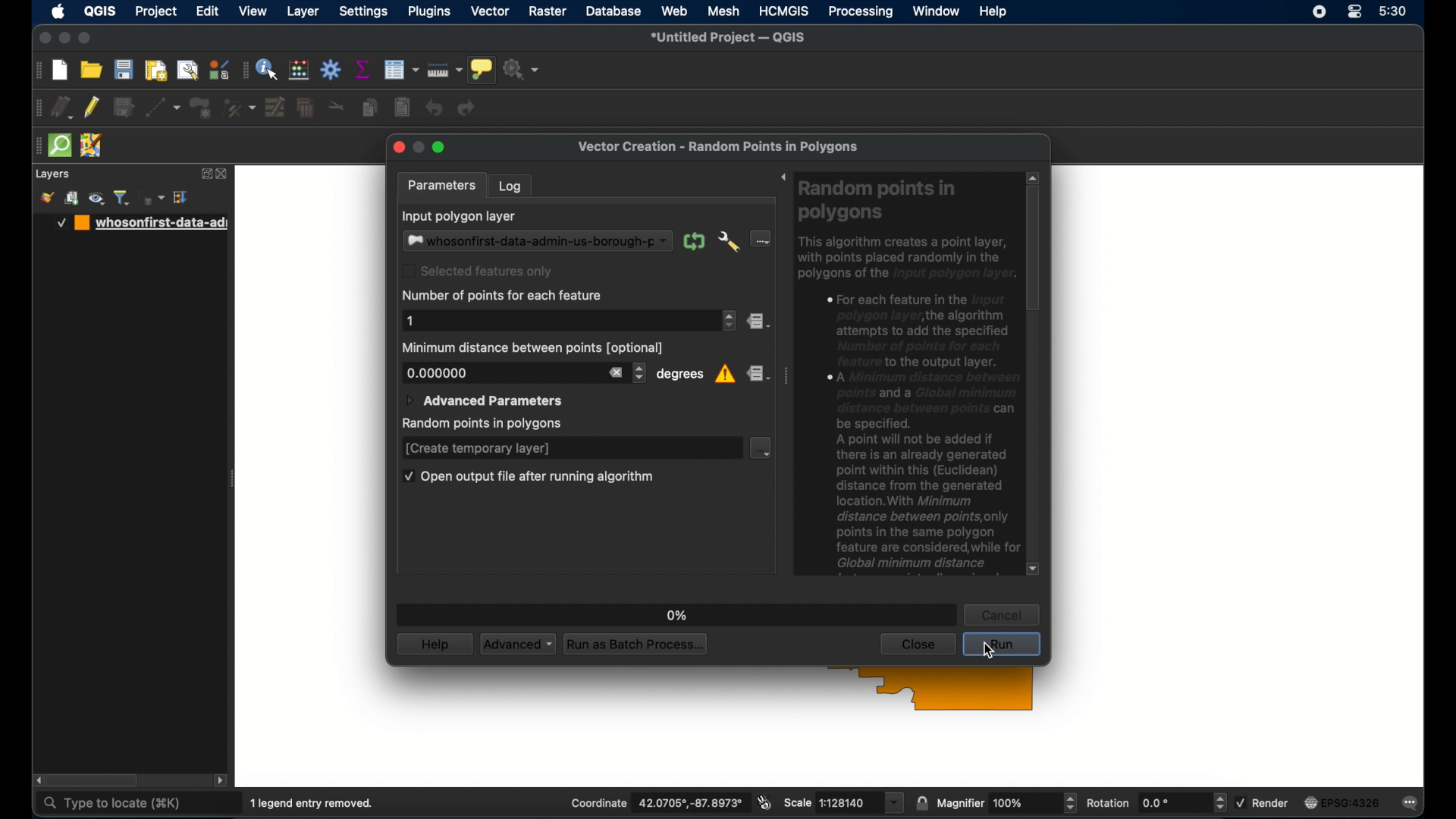  I want to click on view, so click(254, 11).